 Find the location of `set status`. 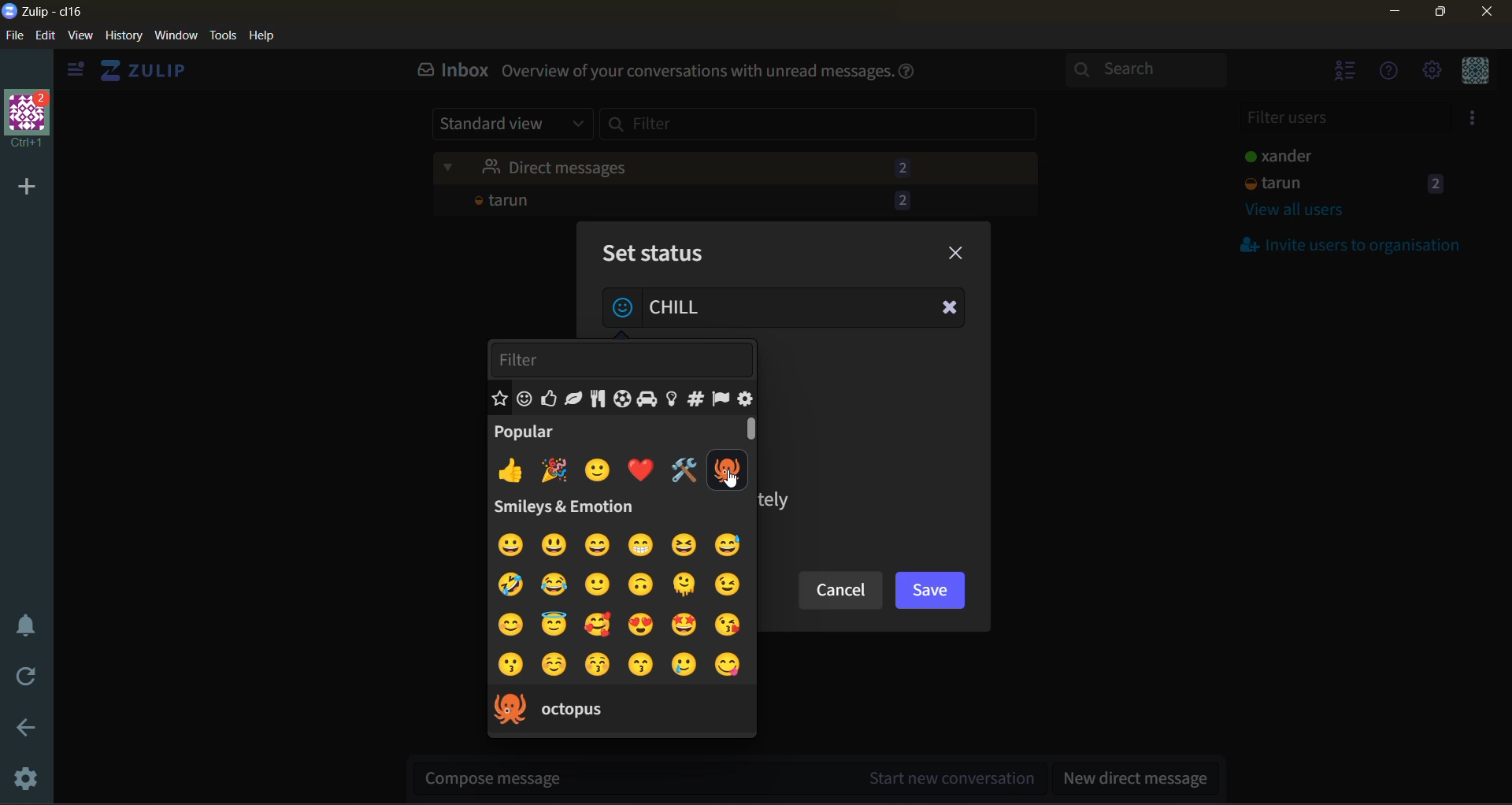

set status is located at coordinates (656, 254).